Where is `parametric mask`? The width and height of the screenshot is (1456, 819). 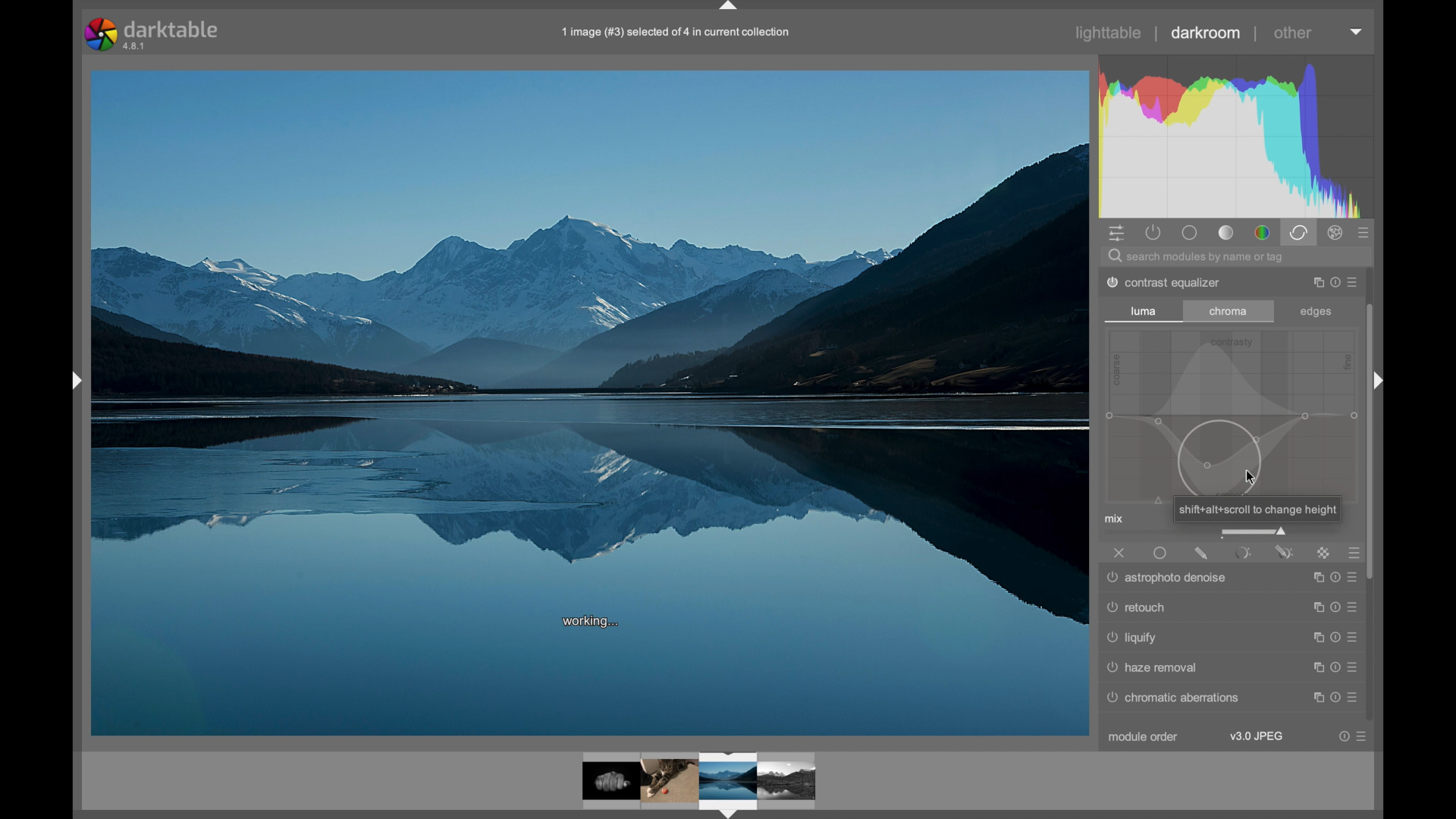 parametric mask is located at coordinates (1242, 553).